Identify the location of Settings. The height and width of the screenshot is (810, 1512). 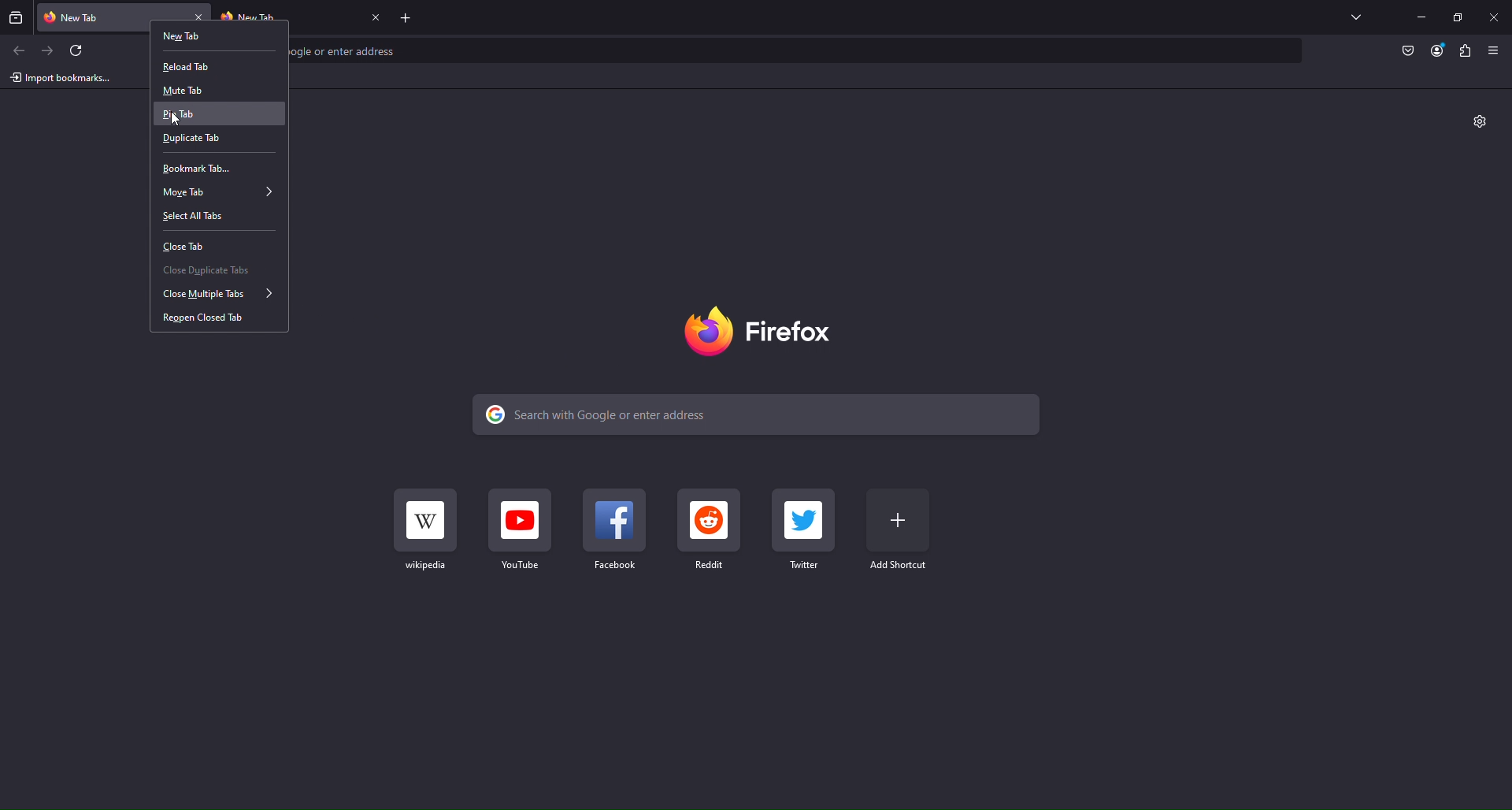
(1480, 123).